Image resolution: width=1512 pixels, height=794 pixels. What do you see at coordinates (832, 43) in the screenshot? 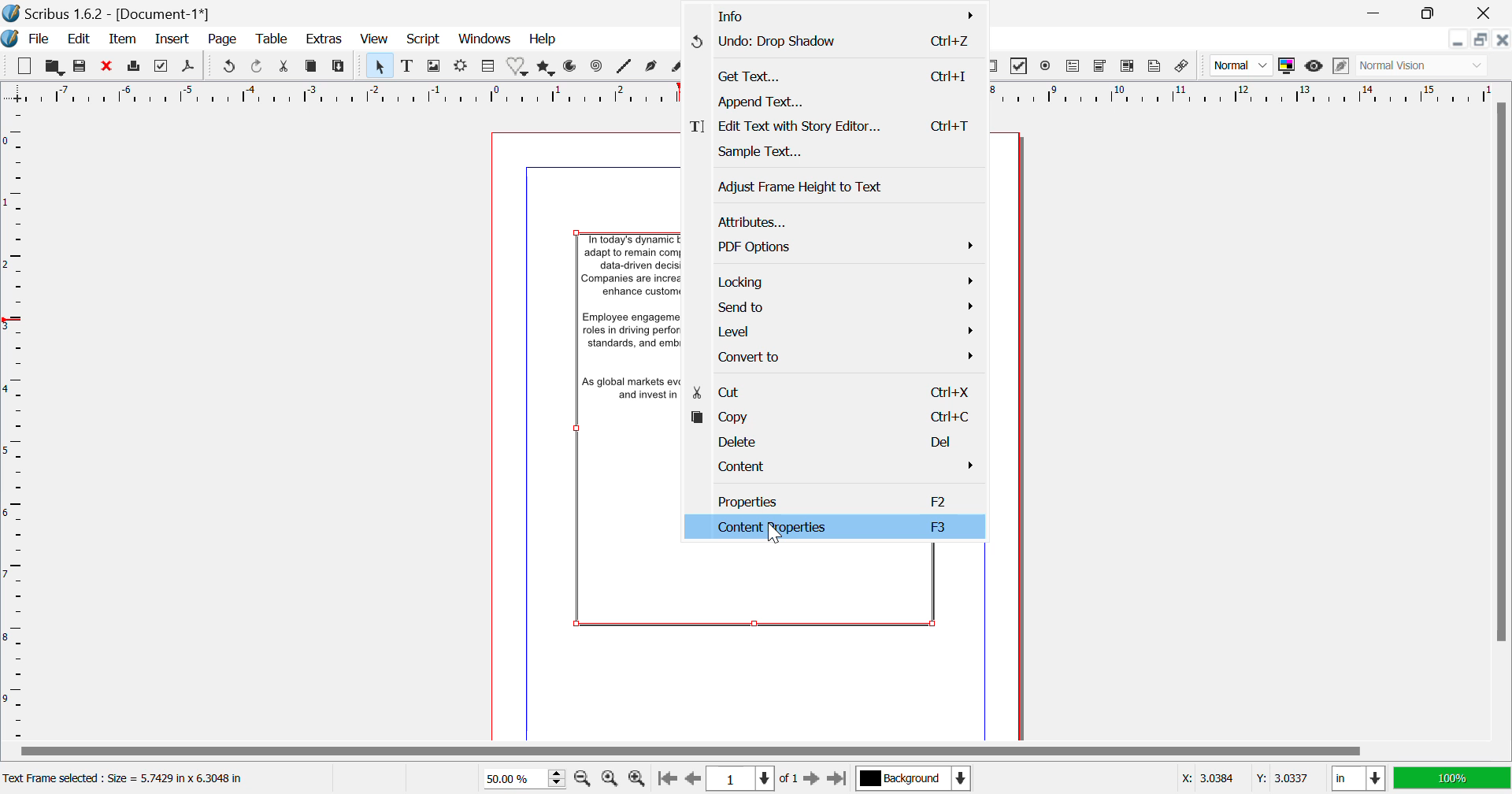
I see `Undo` at bounding box center [832, 43].